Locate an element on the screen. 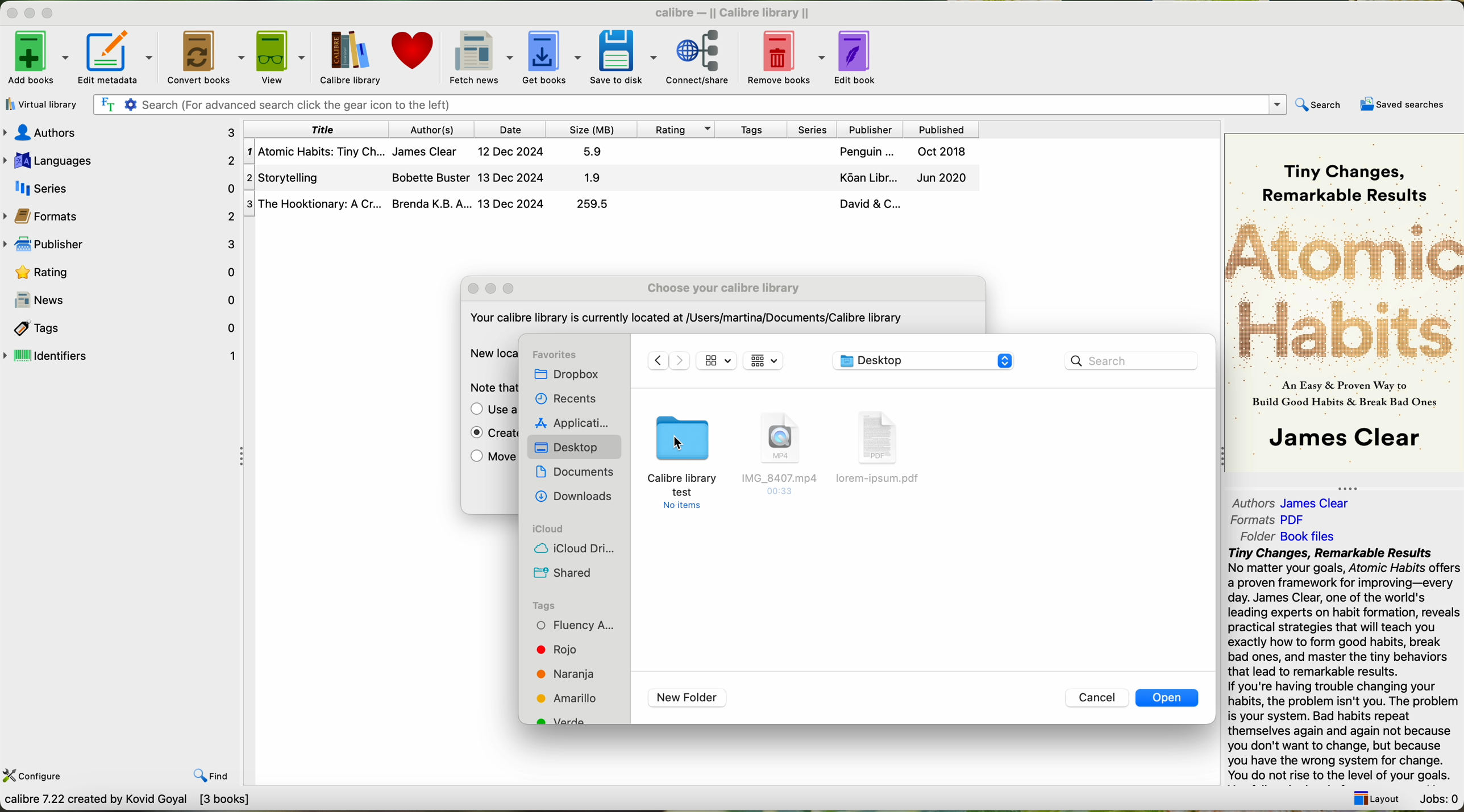 The width and height of the screenshot is (1464, 812). shared is located at coordinates (562, 571).